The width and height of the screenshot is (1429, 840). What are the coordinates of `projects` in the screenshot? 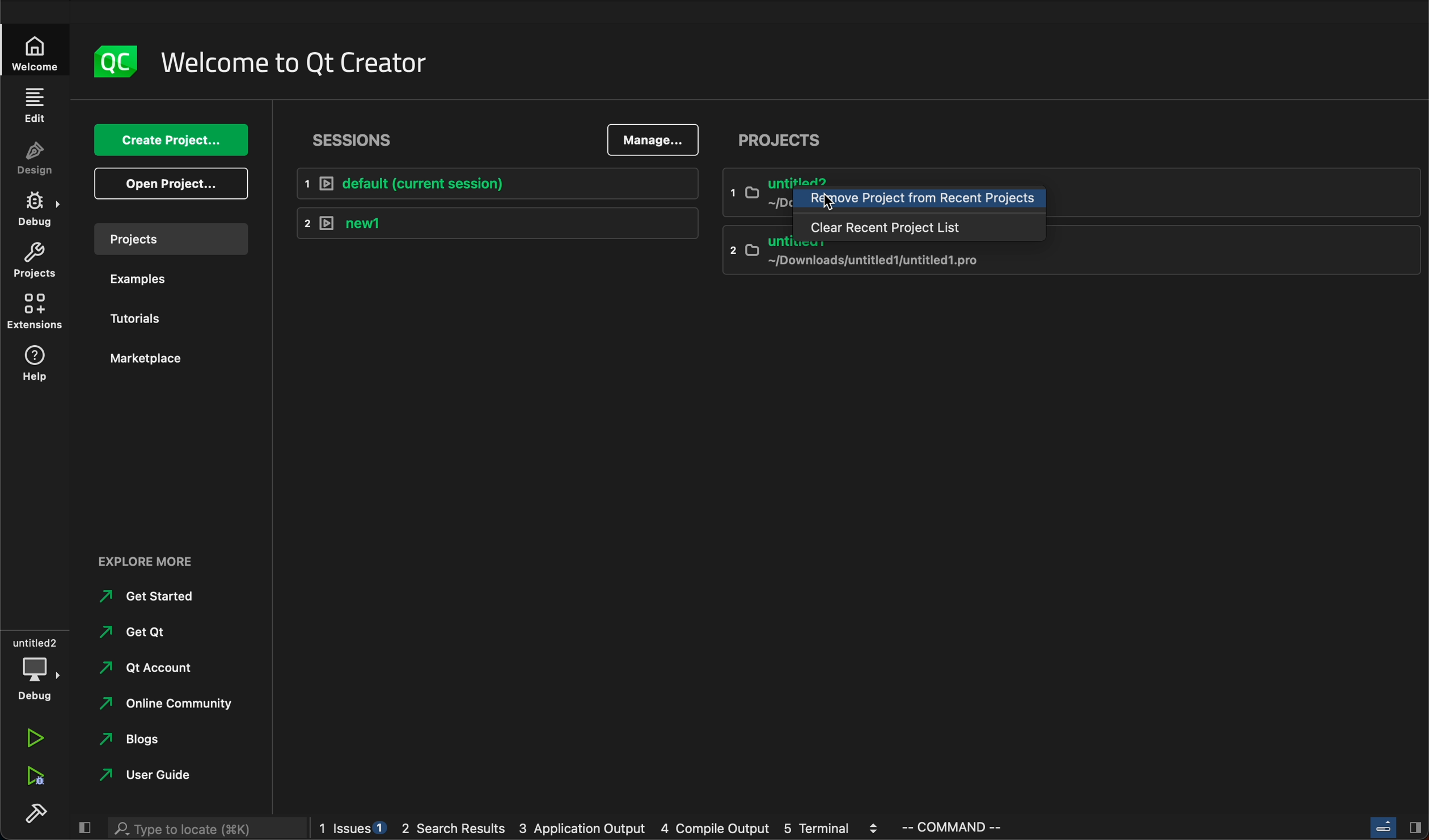 It's located at (783, 137).